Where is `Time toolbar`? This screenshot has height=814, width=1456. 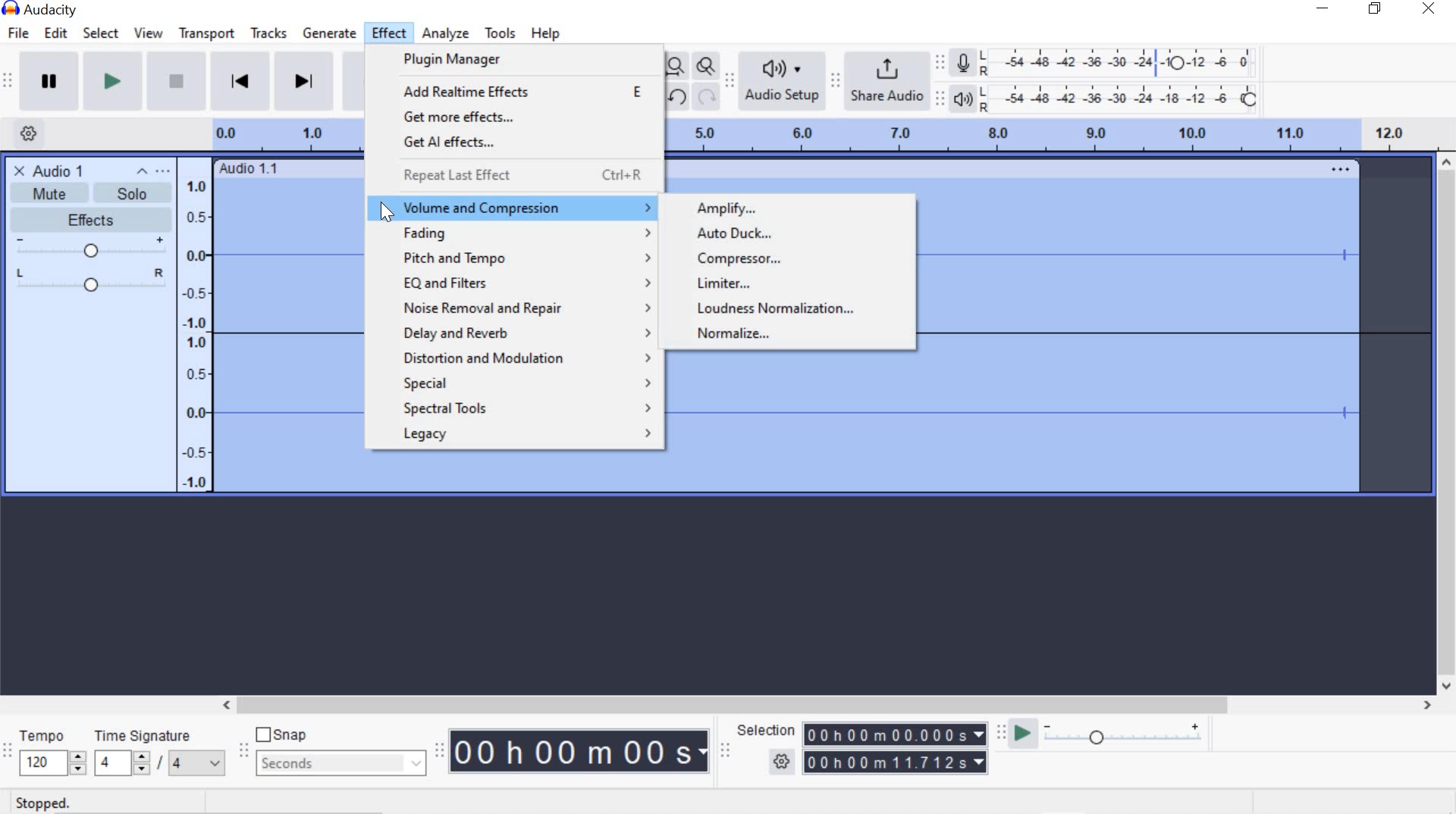
Time toolbar is located at coordinates (441, 750).